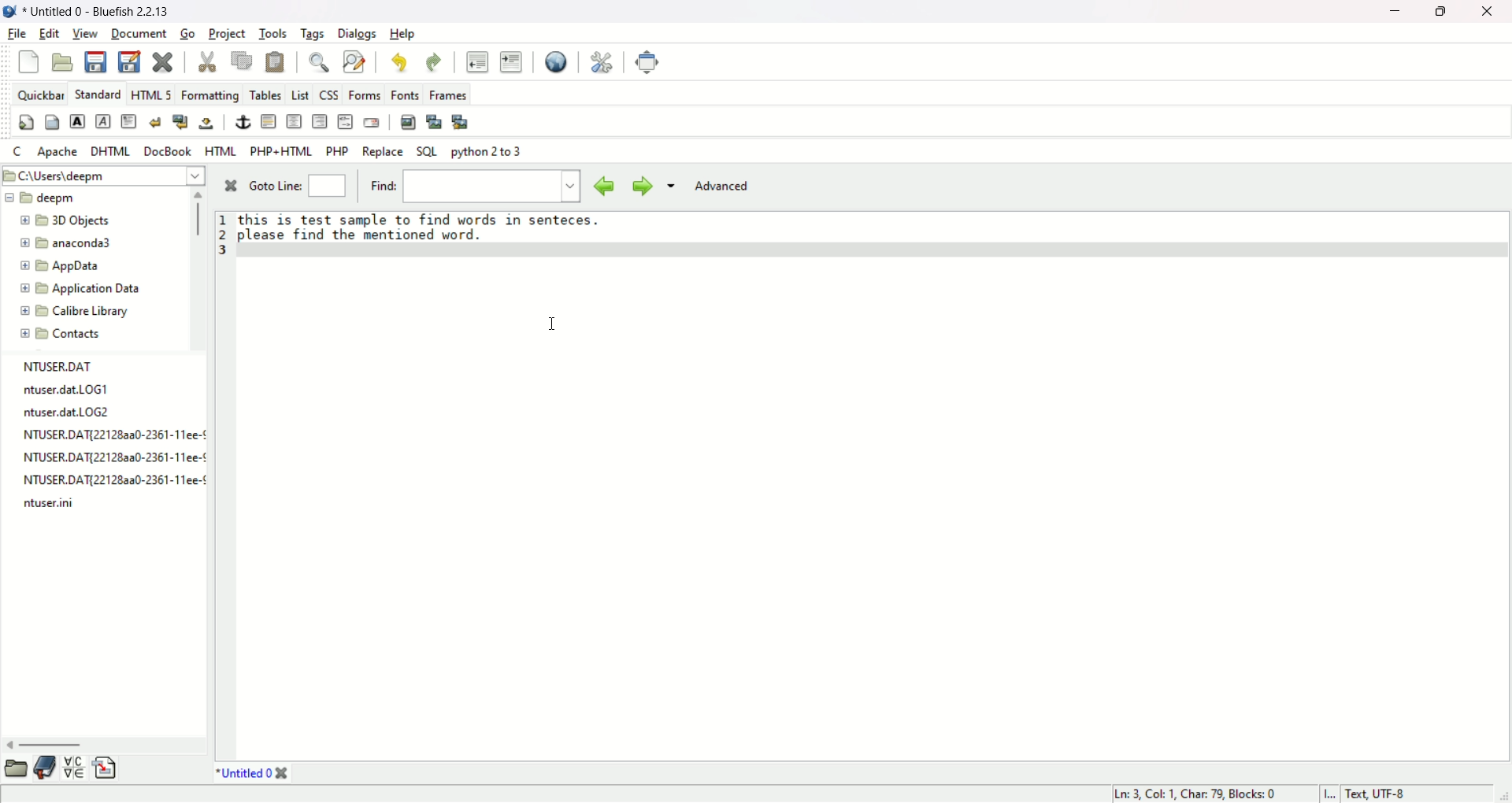  Describe the element at coordinates (398, 61) in the screenshot. I see `undo` at that location.